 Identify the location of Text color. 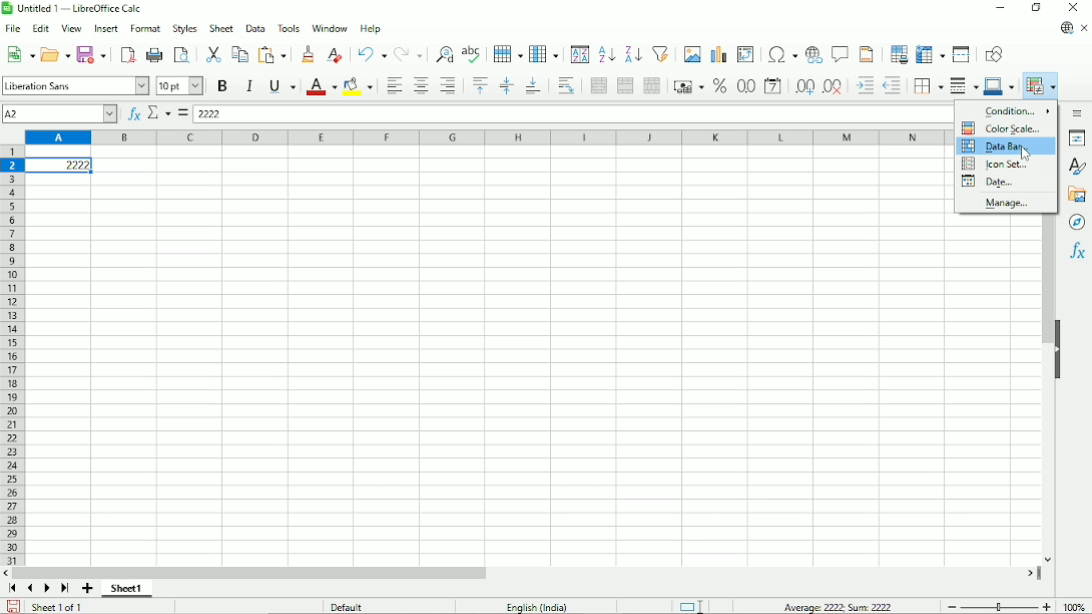
(321, 87).